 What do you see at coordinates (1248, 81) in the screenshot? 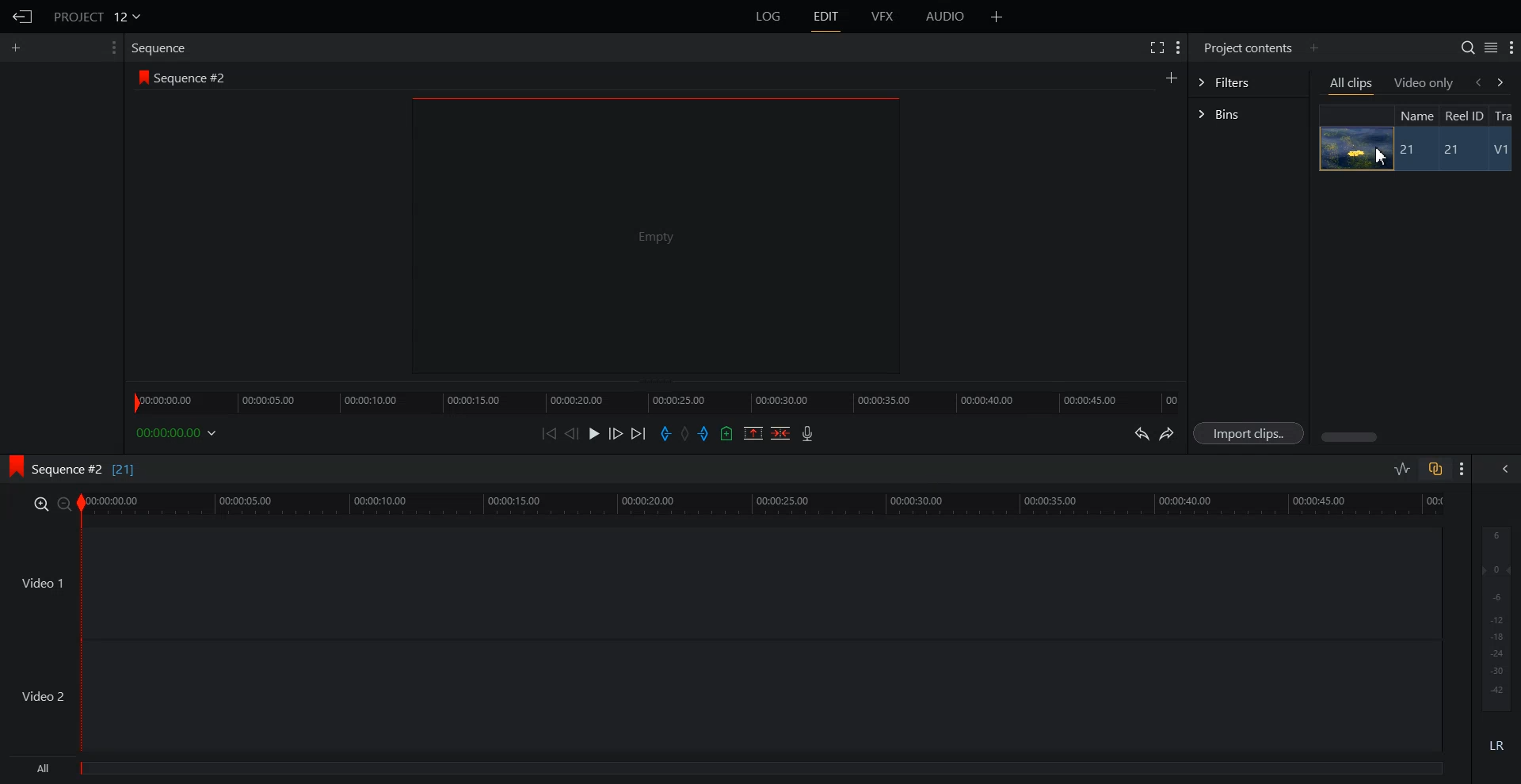
I see `Filters` at bounding box center [1248, 81].